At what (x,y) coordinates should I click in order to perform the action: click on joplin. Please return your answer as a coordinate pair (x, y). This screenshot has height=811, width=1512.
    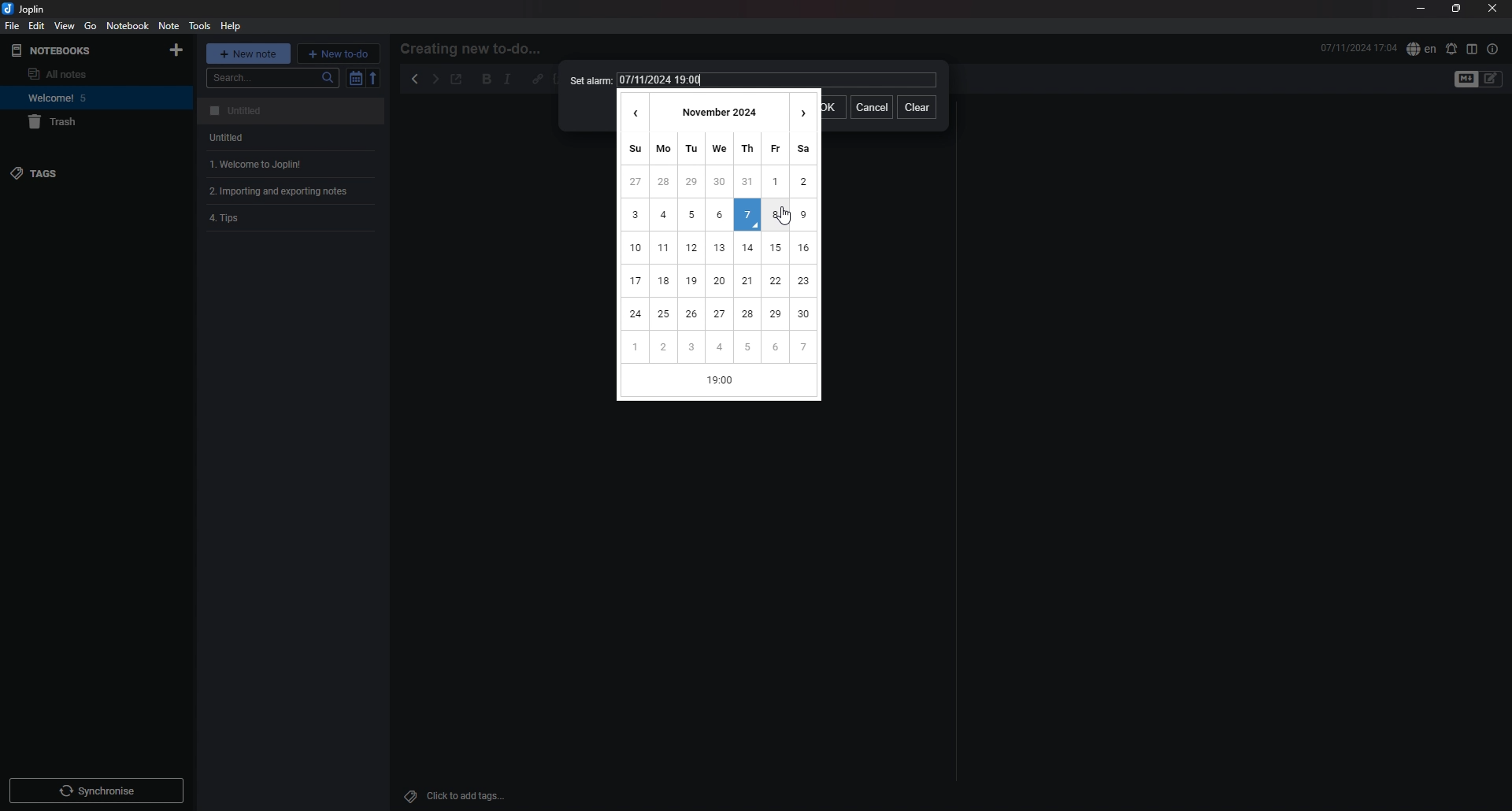
    Looking at the image, I should click on (31, 9).